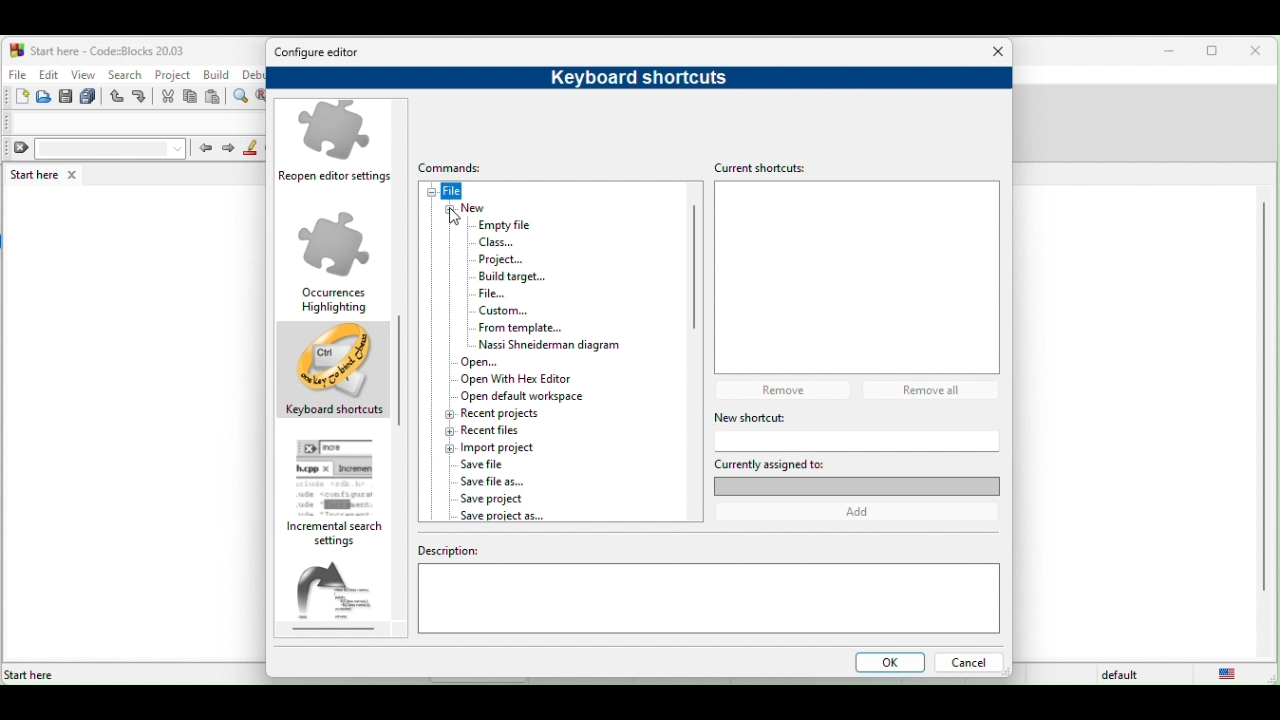 The width and height of the screenshot is (1280, 720). I want to click on class, so click(497, 242).